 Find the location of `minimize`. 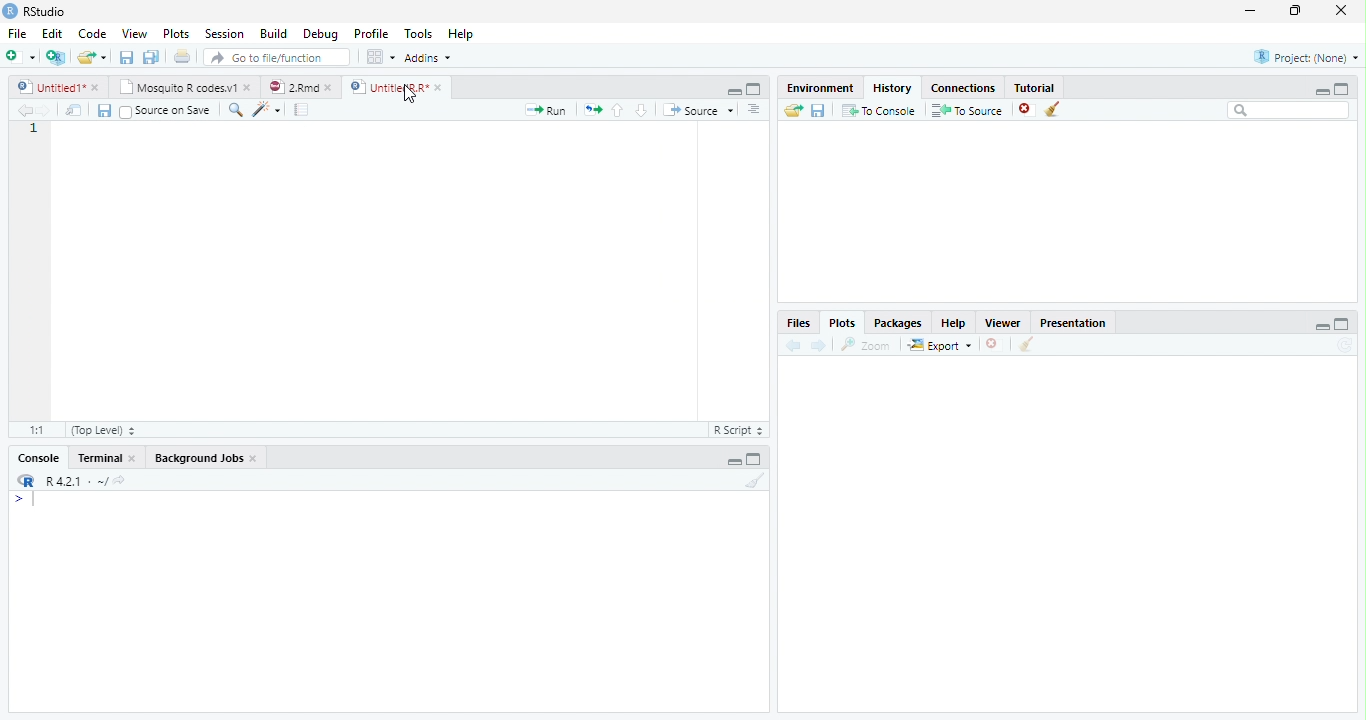

minimize is located at coordinates (1251, 10).